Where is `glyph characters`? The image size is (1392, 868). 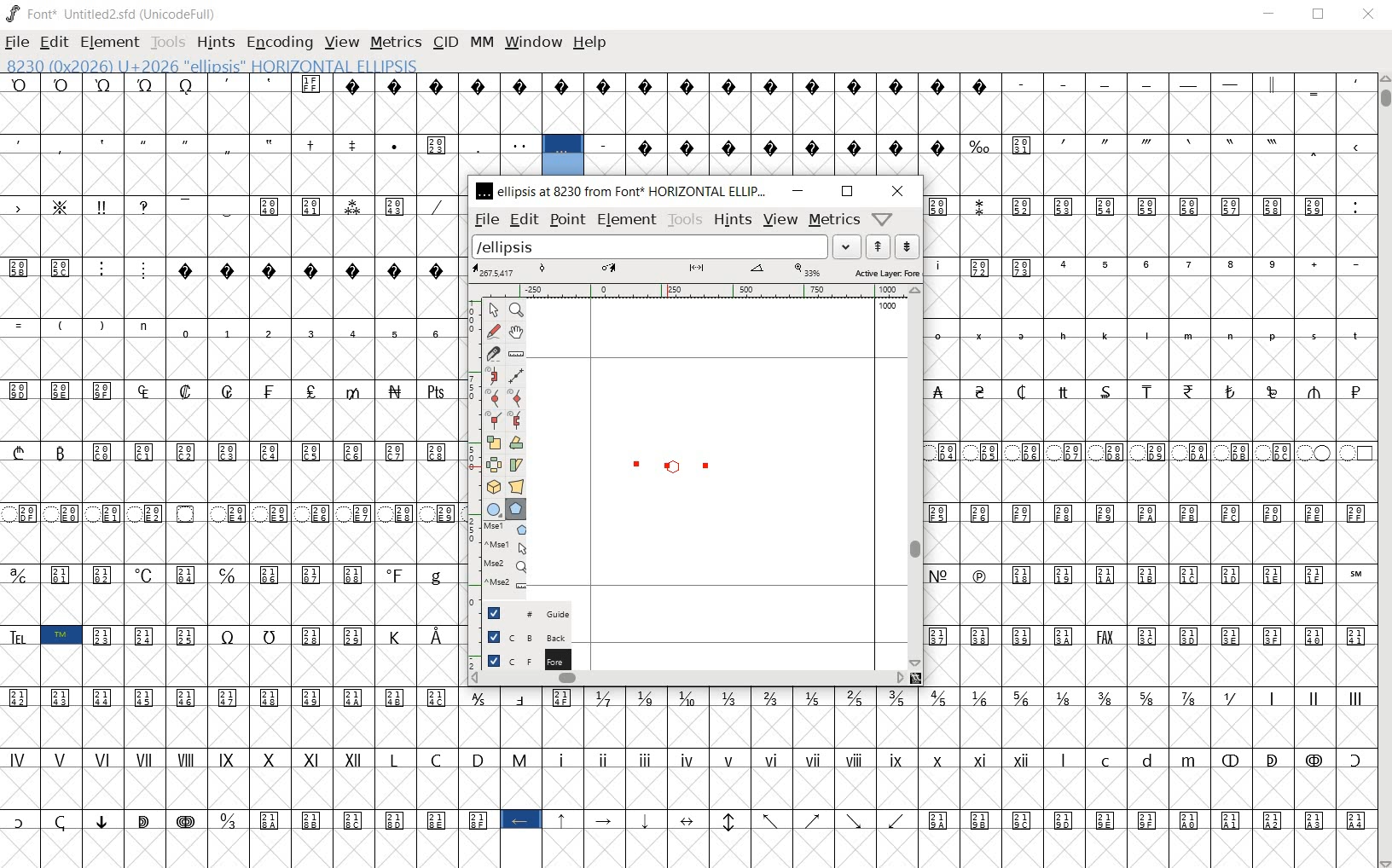 glyph characters is located at coordinates (915, 774).